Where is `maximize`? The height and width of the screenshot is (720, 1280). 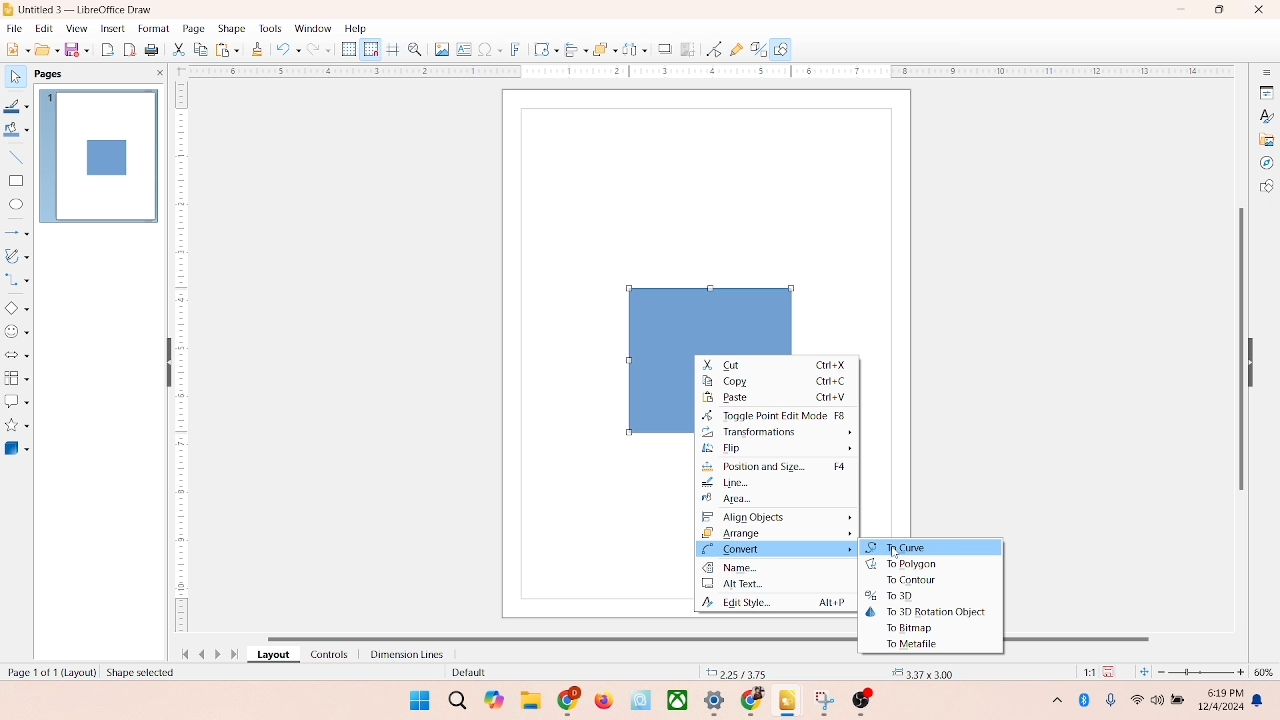
maximize is located at coordinates (1219, 10).